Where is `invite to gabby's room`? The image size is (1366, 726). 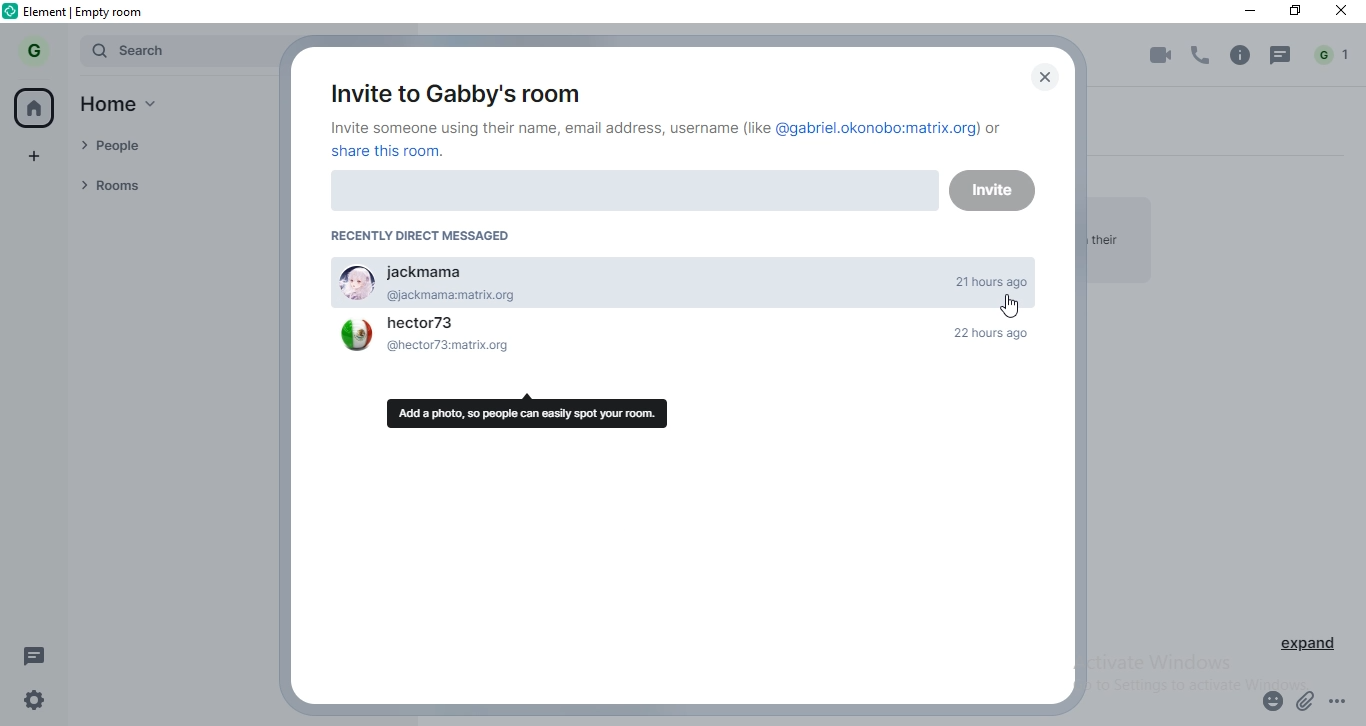 invite to gabby's room is located at coordinates (451, 90).